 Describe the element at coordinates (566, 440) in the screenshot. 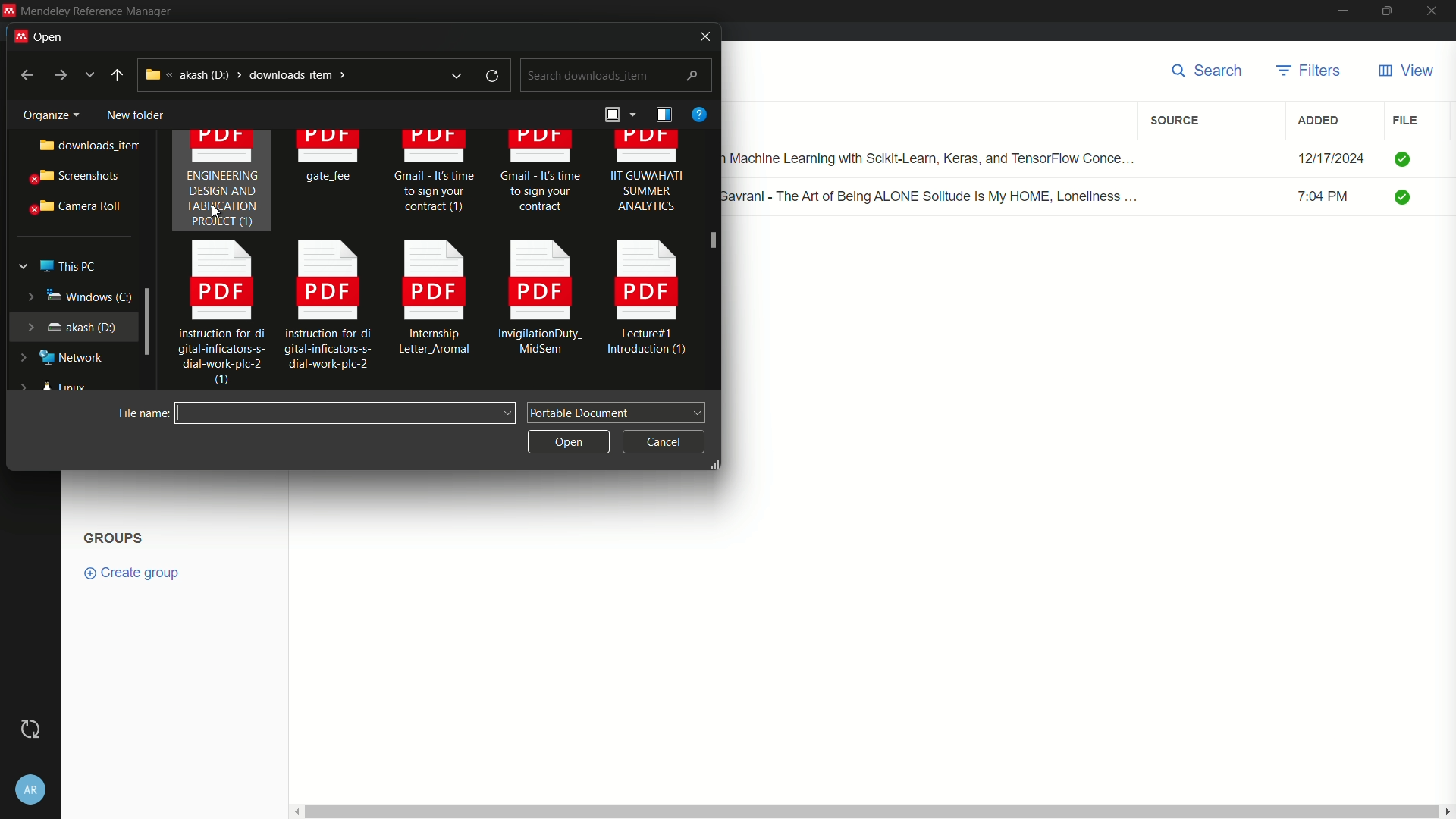

I see `open` at that location.